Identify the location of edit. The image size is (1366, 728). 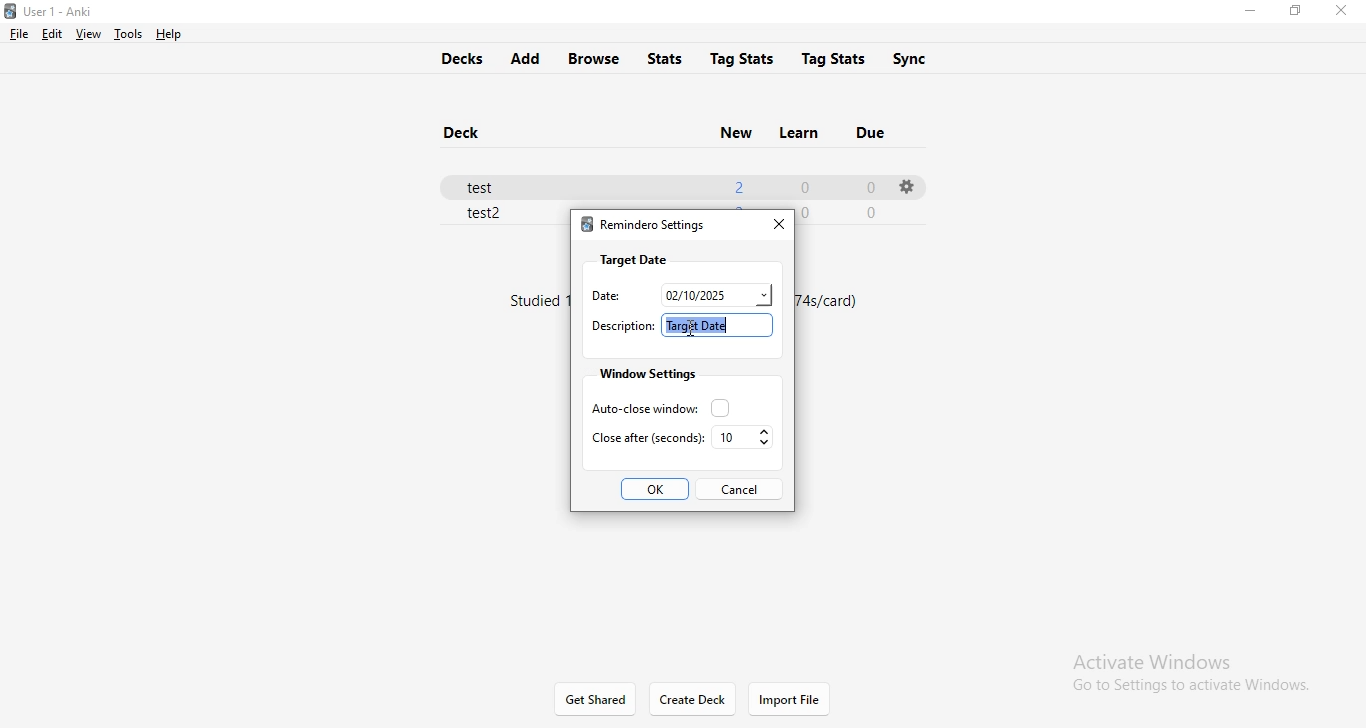
(50, 33).